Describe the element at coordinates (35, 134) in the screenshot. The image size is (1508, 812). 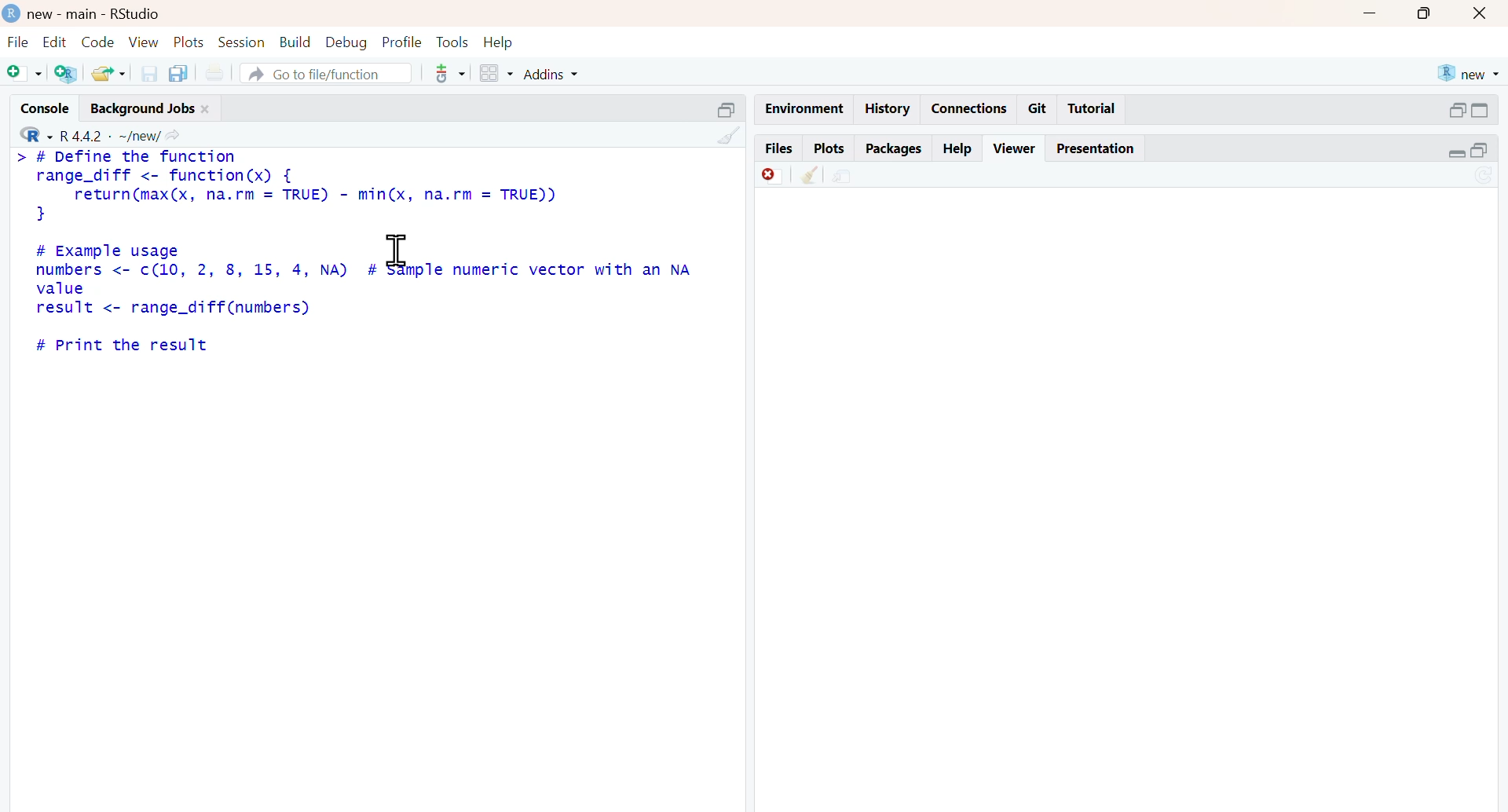
I see `R` at that location.